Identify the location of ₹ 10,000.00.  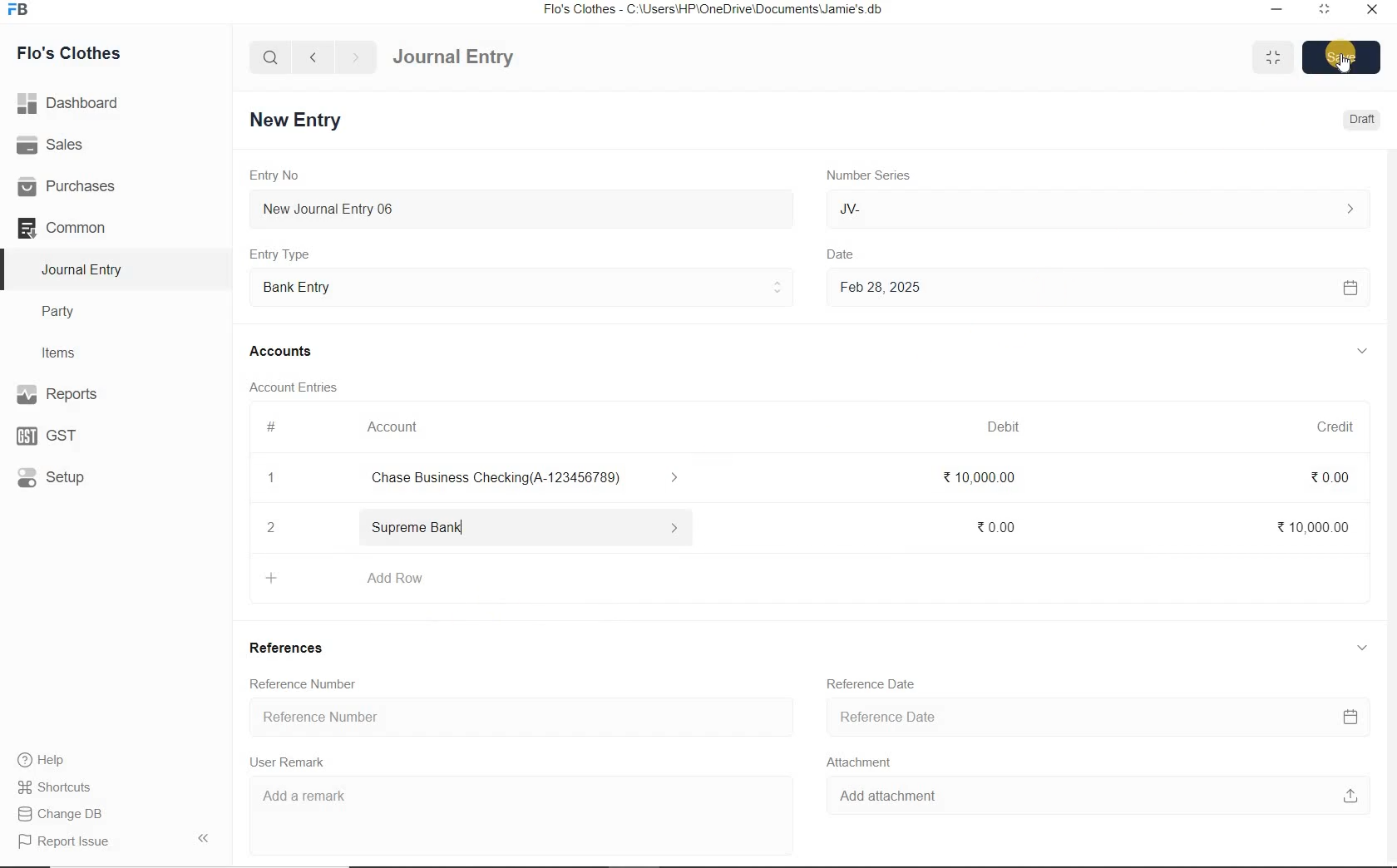
(980, 481).